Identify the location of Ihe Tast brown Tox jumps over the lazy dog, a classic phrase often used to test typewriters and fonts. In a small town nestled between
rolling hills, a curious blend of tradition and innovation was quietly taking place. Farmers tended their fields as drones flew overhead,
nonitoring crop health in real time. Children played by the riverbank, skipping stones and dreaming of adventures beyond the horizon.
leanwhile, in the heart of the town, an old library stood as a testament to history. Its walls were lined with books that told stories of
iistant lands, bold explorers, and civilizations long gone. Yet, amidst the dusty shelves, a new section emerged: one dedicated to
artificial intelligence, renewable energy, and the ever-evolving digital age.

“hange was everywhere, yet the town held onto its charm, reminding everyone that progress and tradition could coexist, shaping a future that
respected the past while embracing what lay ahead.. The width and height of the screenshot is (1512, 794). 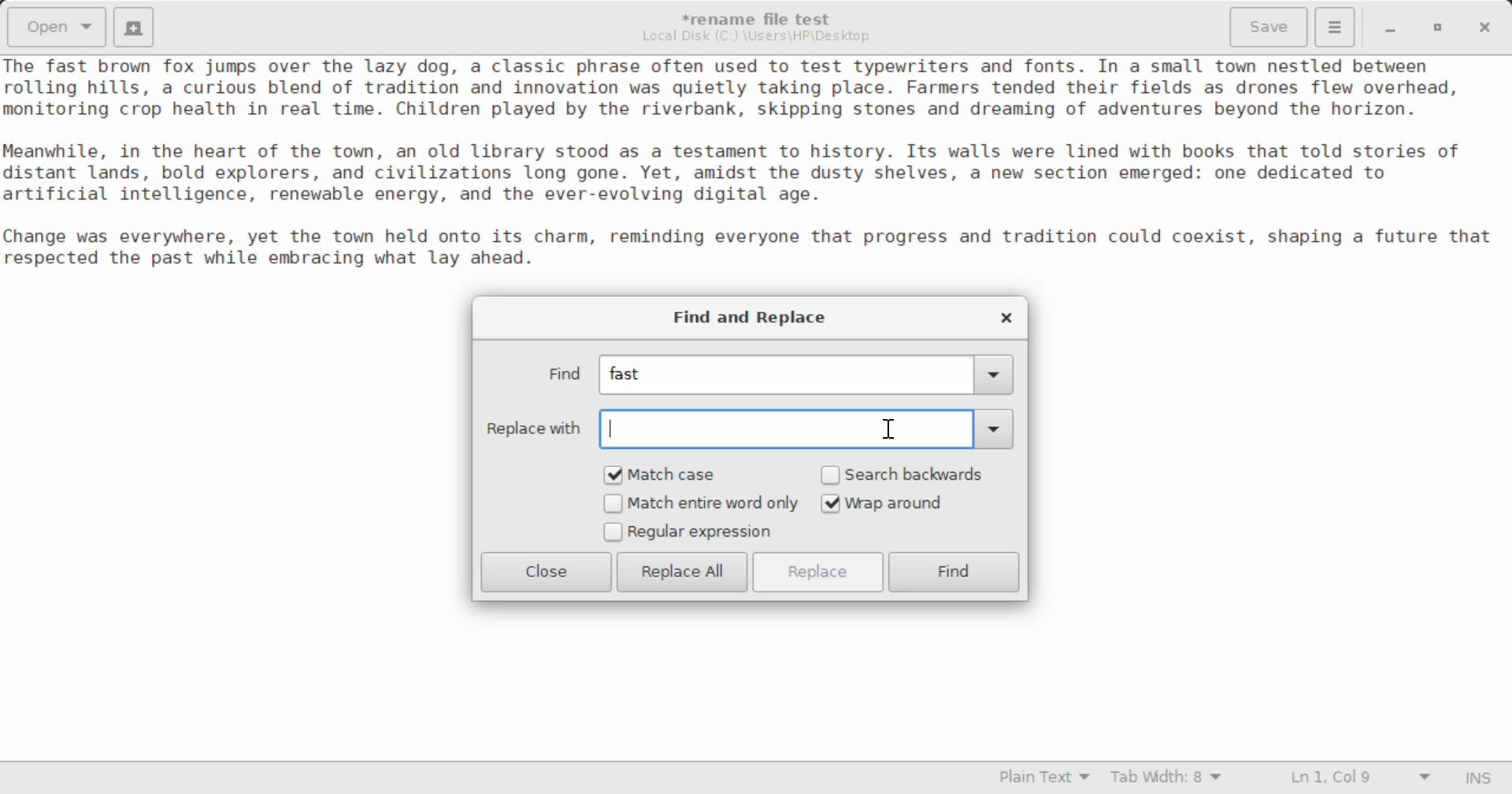
(756, 165).